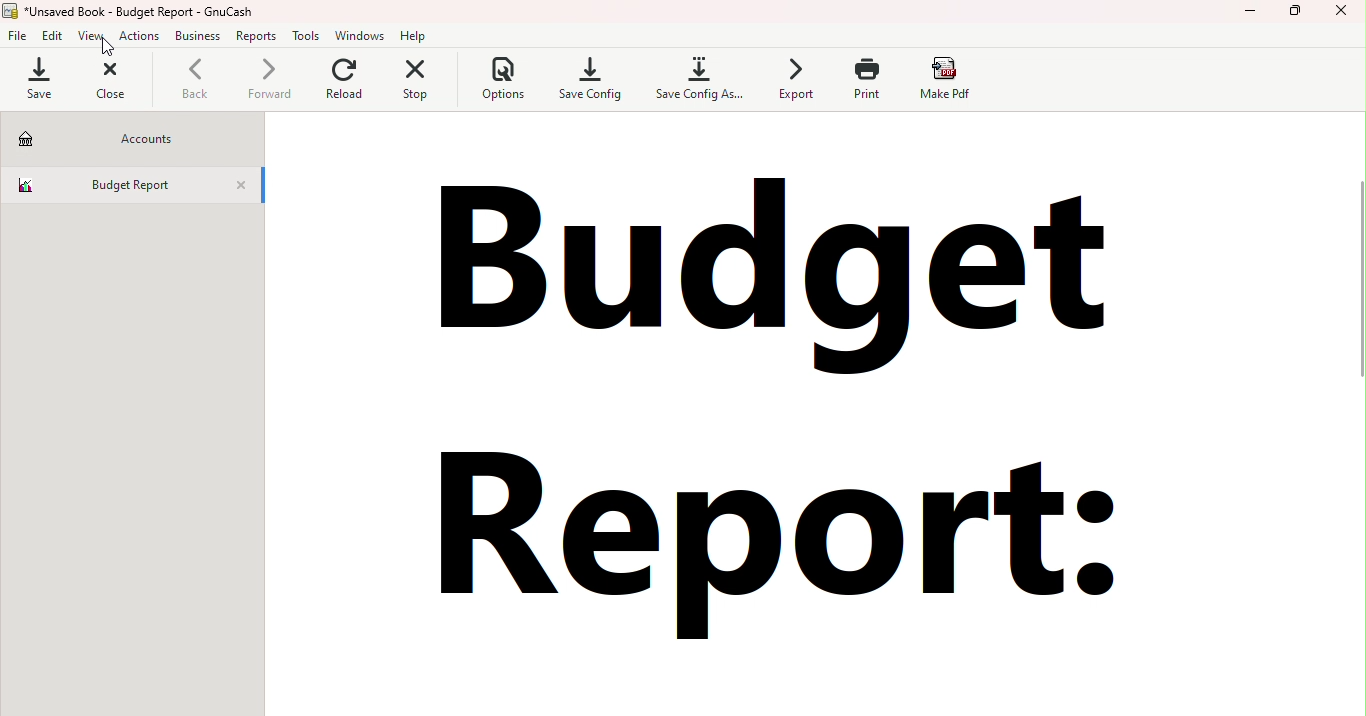 This screenshot has width=1366, height=716. Describe the element at coordinates (863, 80) in the screenshot. I see `Print` at that location.